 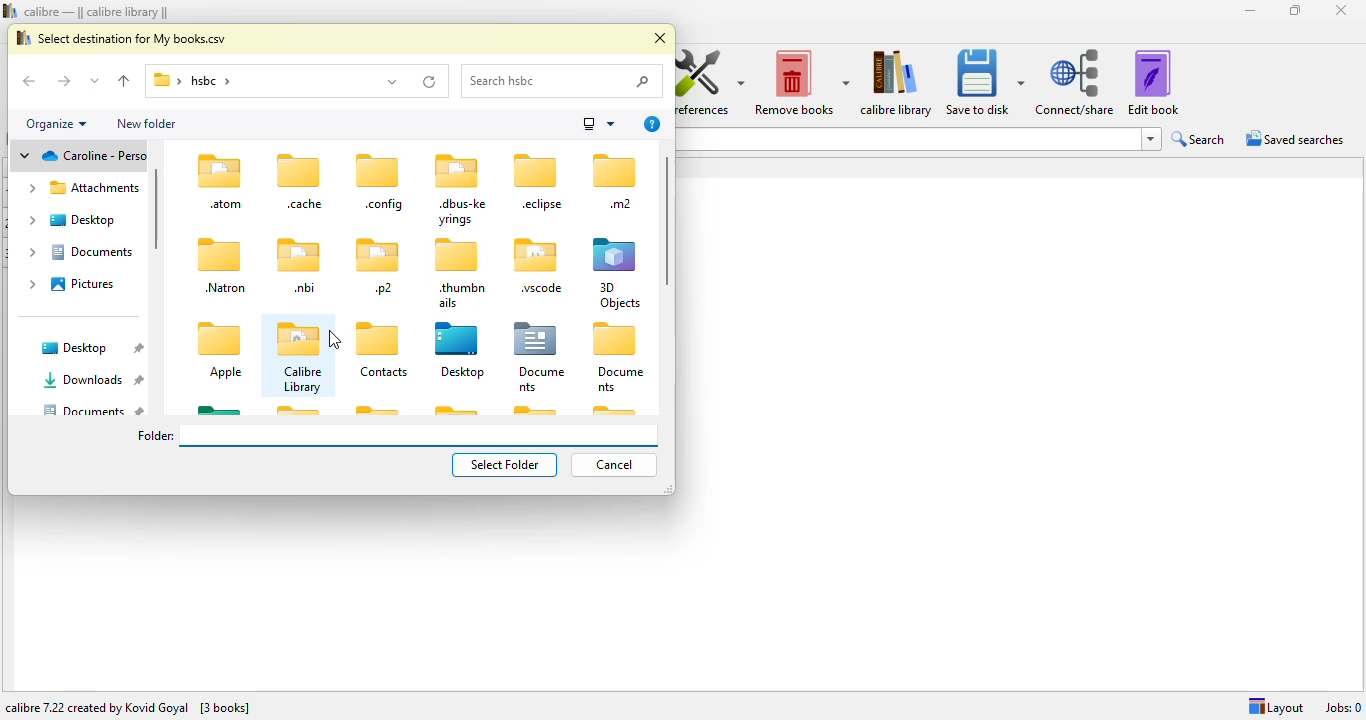 I want to click on [3 books], so click(x=227, y=707).